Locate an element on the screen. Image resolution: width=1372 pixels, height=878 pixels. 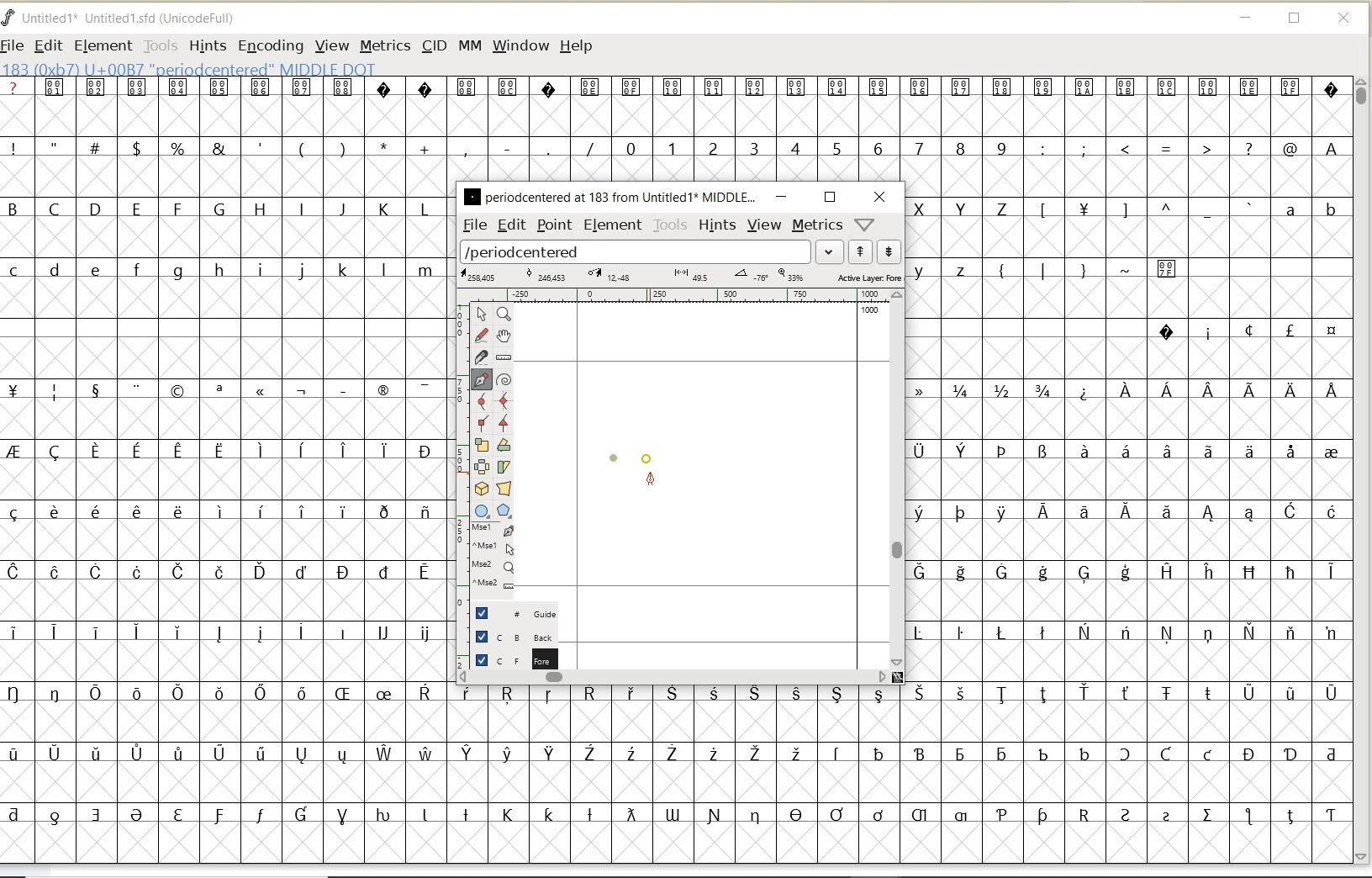
tools is located at coordinates (670, 225).